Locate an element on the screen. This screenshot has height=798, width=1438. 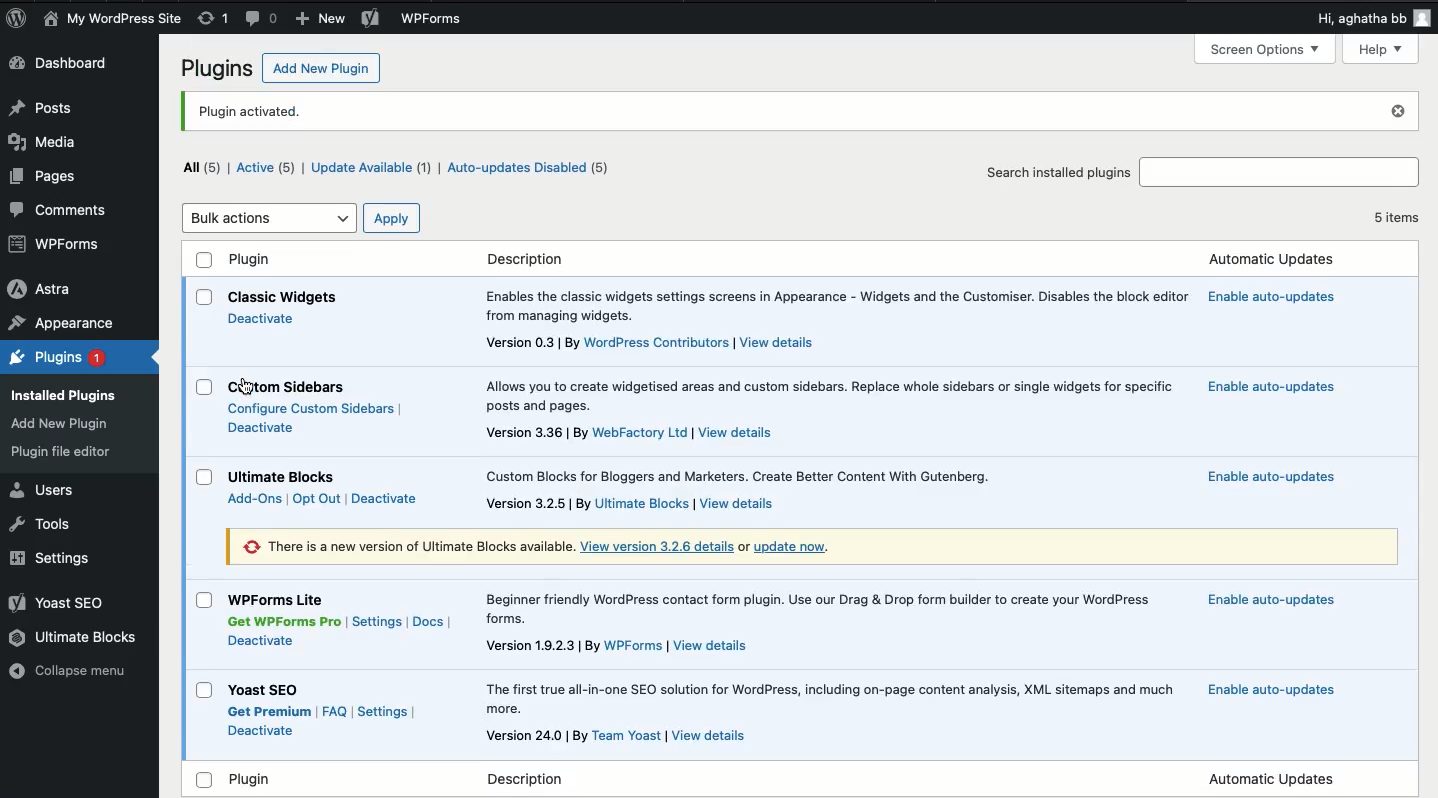
webfactory is located at coordinates (640, 433).